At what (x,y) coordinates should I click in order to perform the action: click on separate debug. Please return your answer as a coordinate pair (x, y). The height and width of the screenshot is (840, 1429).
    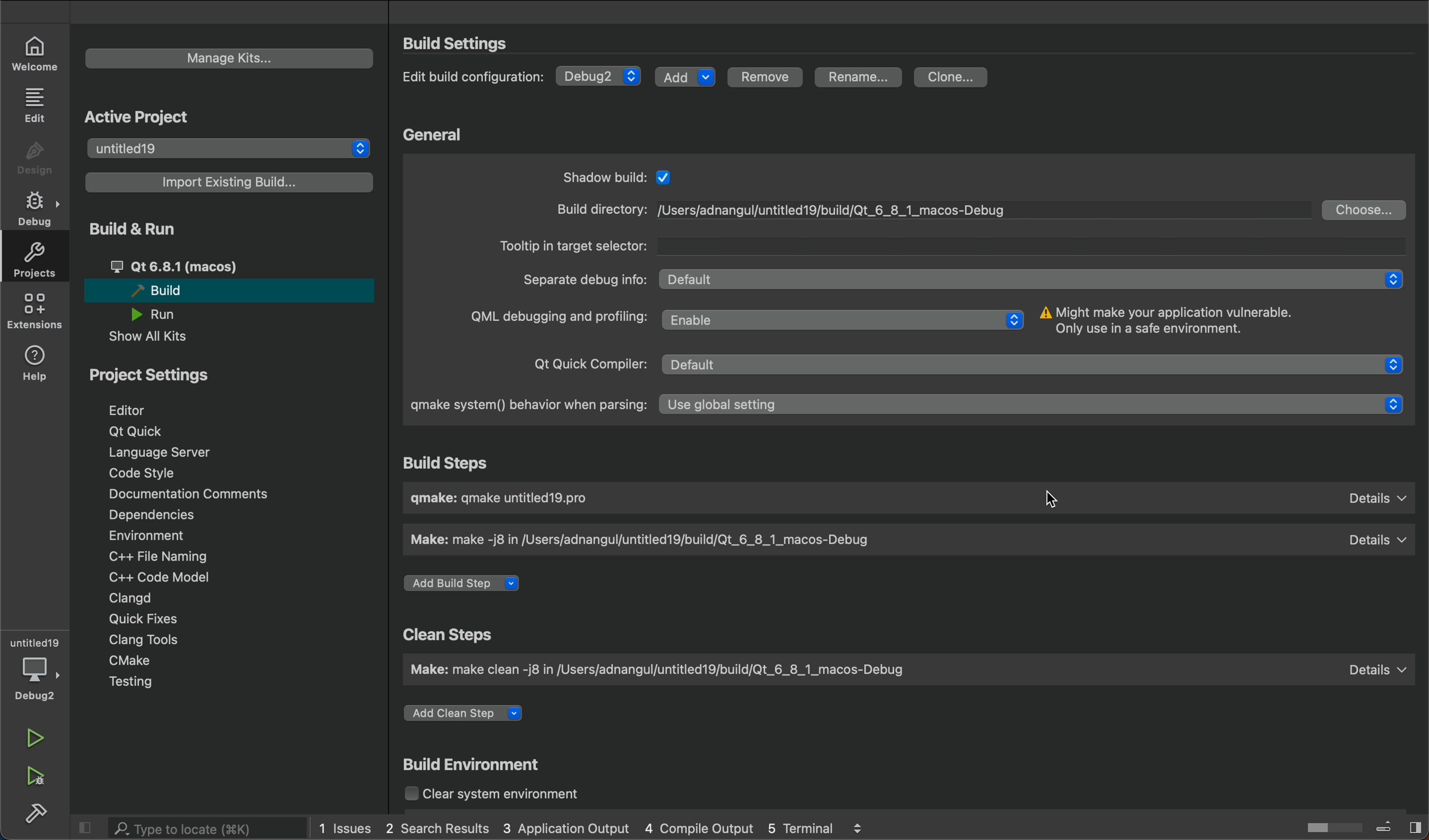
    Looking at the image, I should click on (582, 279).